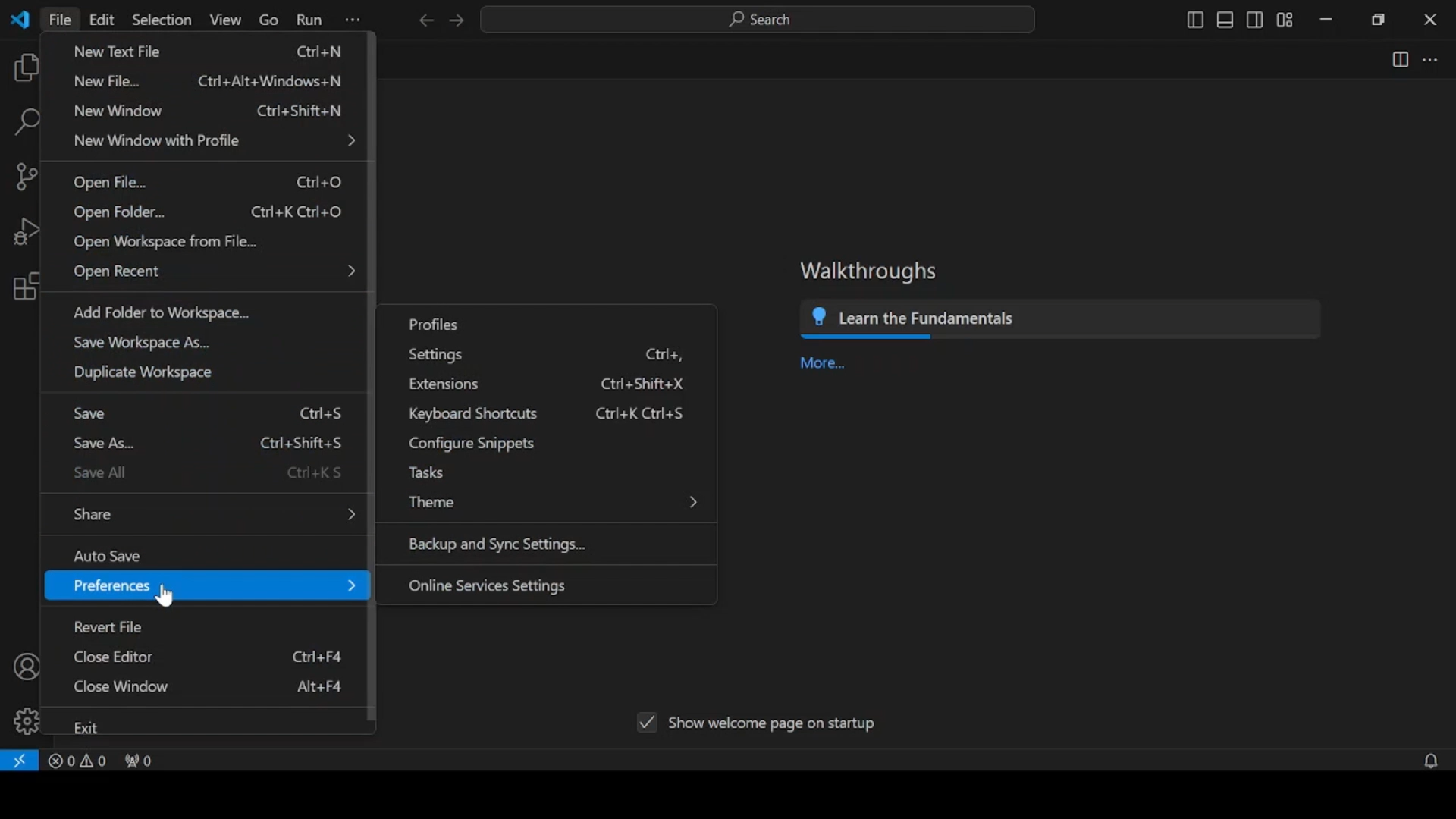  What do you see at coordinates (318, 687) in the screenshot?
I see `Alt+F4` at bounding box center [318, 687].